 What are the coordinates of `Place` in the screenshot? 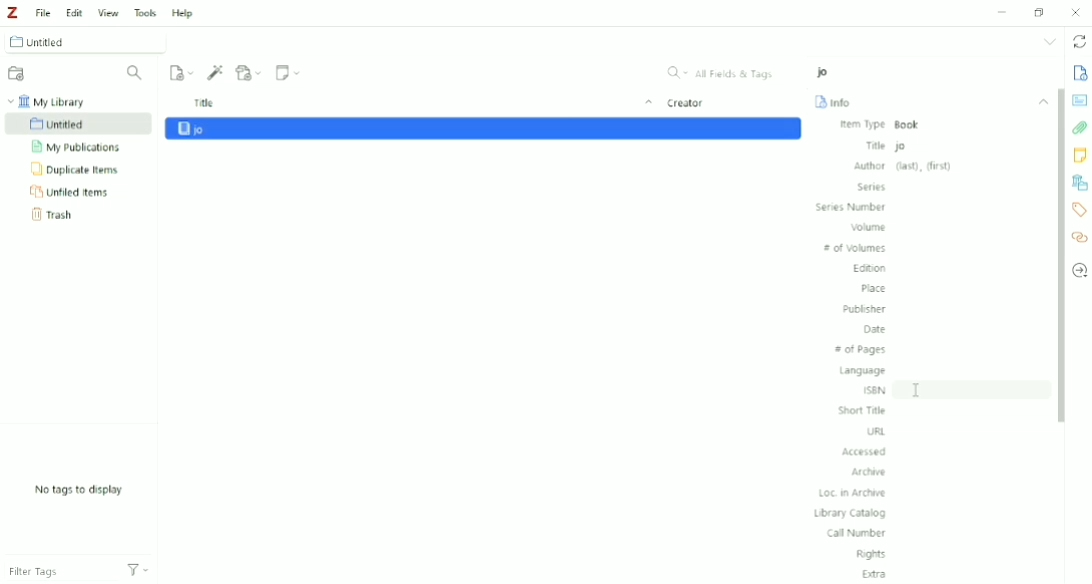 It's located at (873, 288).